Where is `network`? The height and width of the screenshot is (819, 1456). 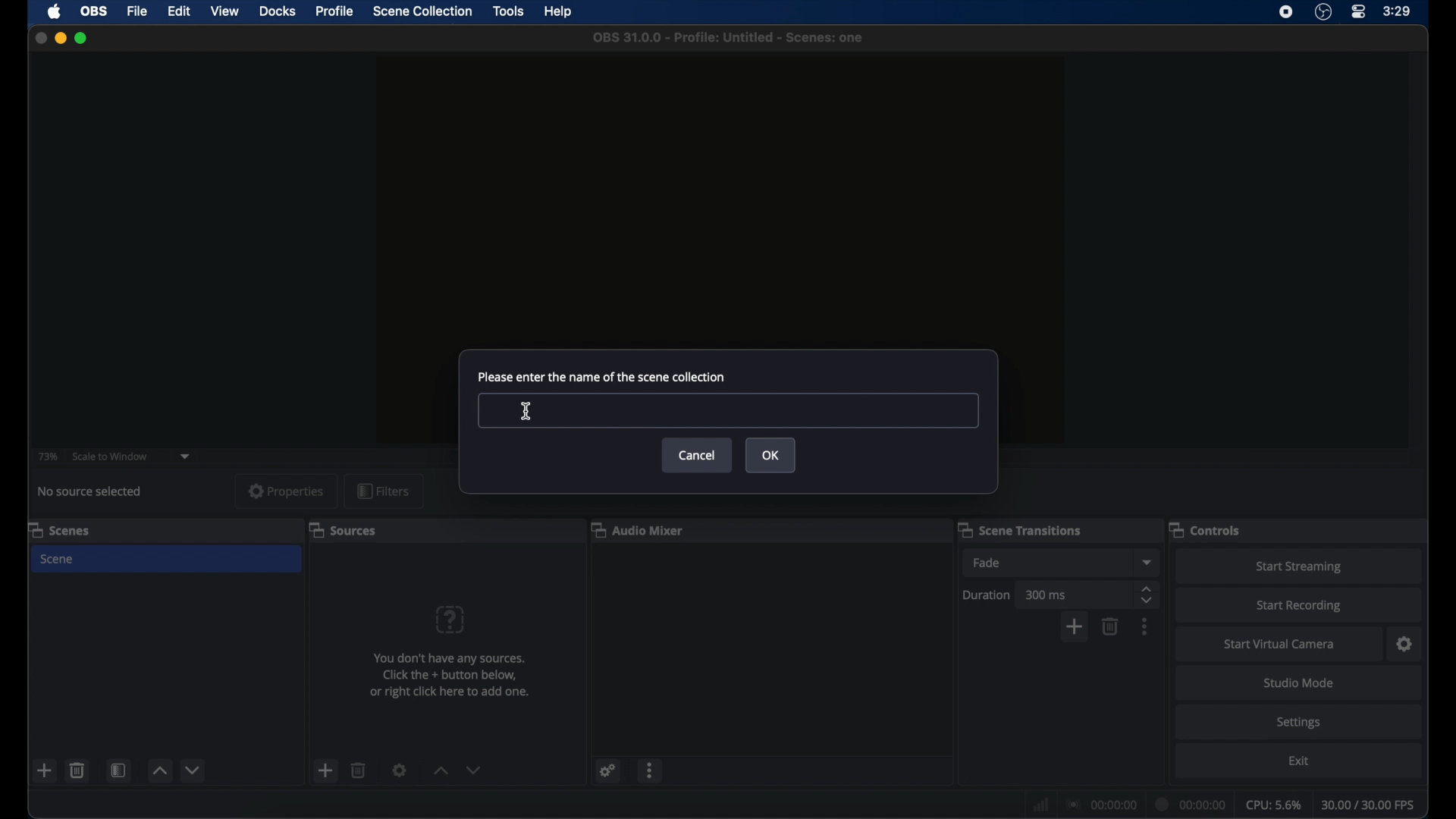 network is located at coordinates (1039, 802).